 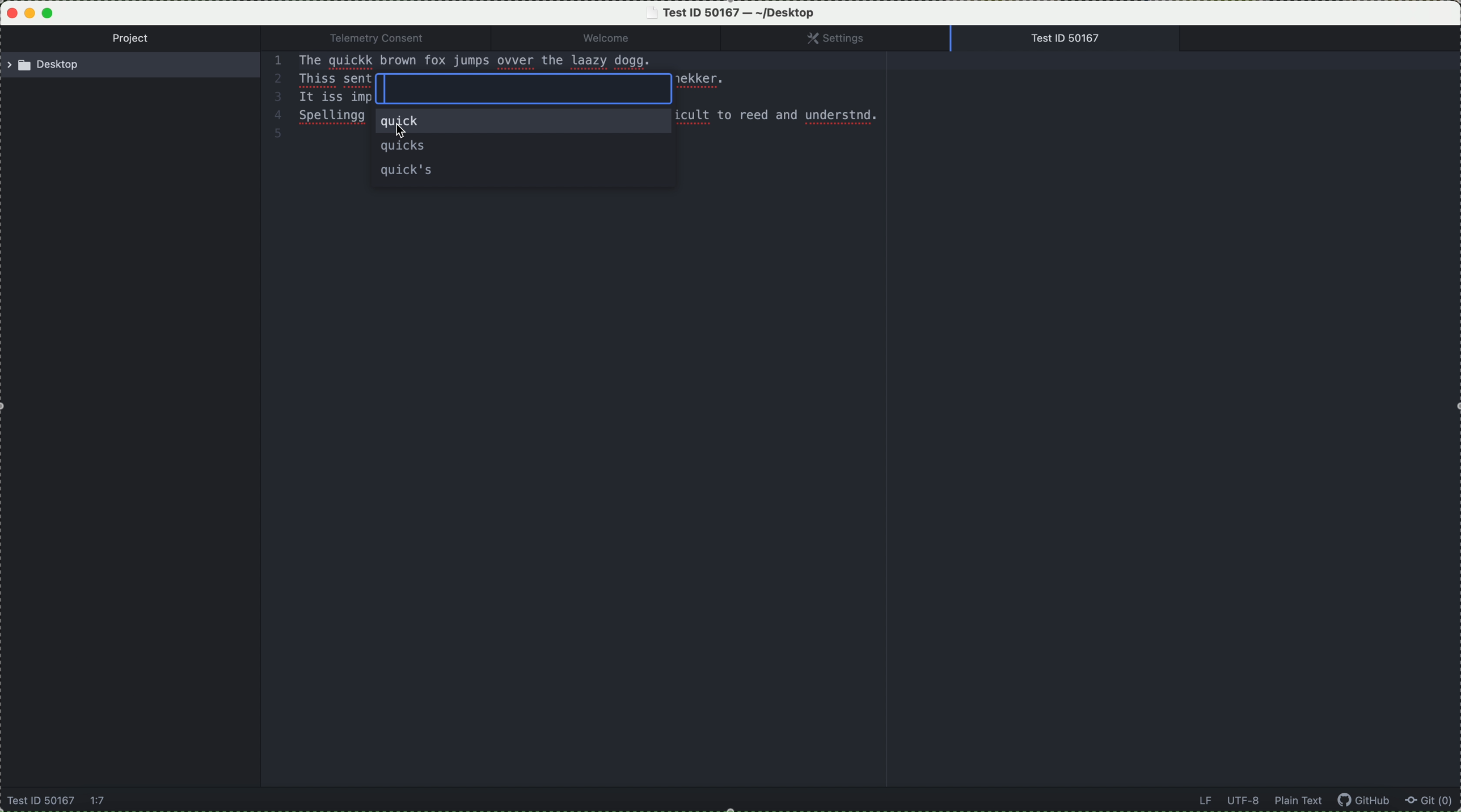 I want to click on settings, so click(x=847, y=39).